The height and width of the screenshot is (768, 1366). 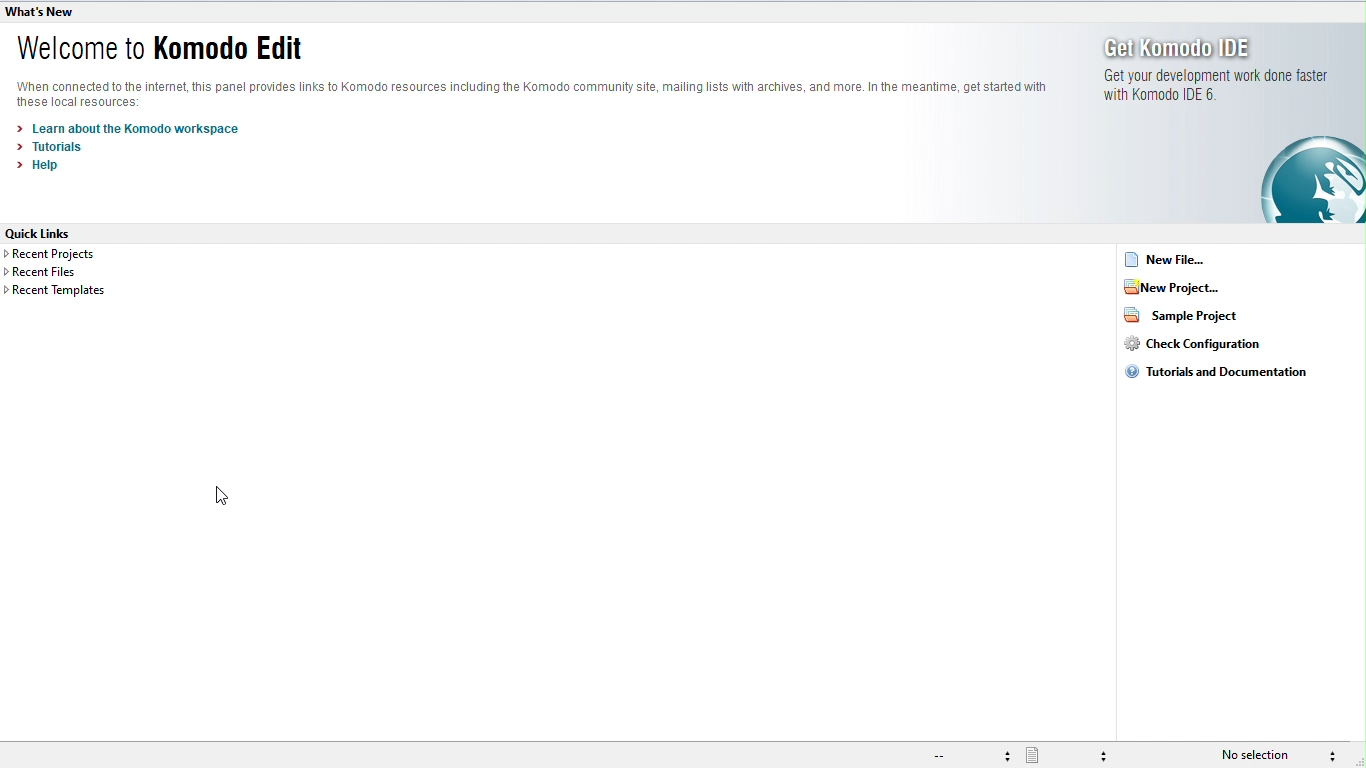 What do you see at coordinates (1170, 258) in the screenshot?
I see `new file` at bounding box center [1170, 258].